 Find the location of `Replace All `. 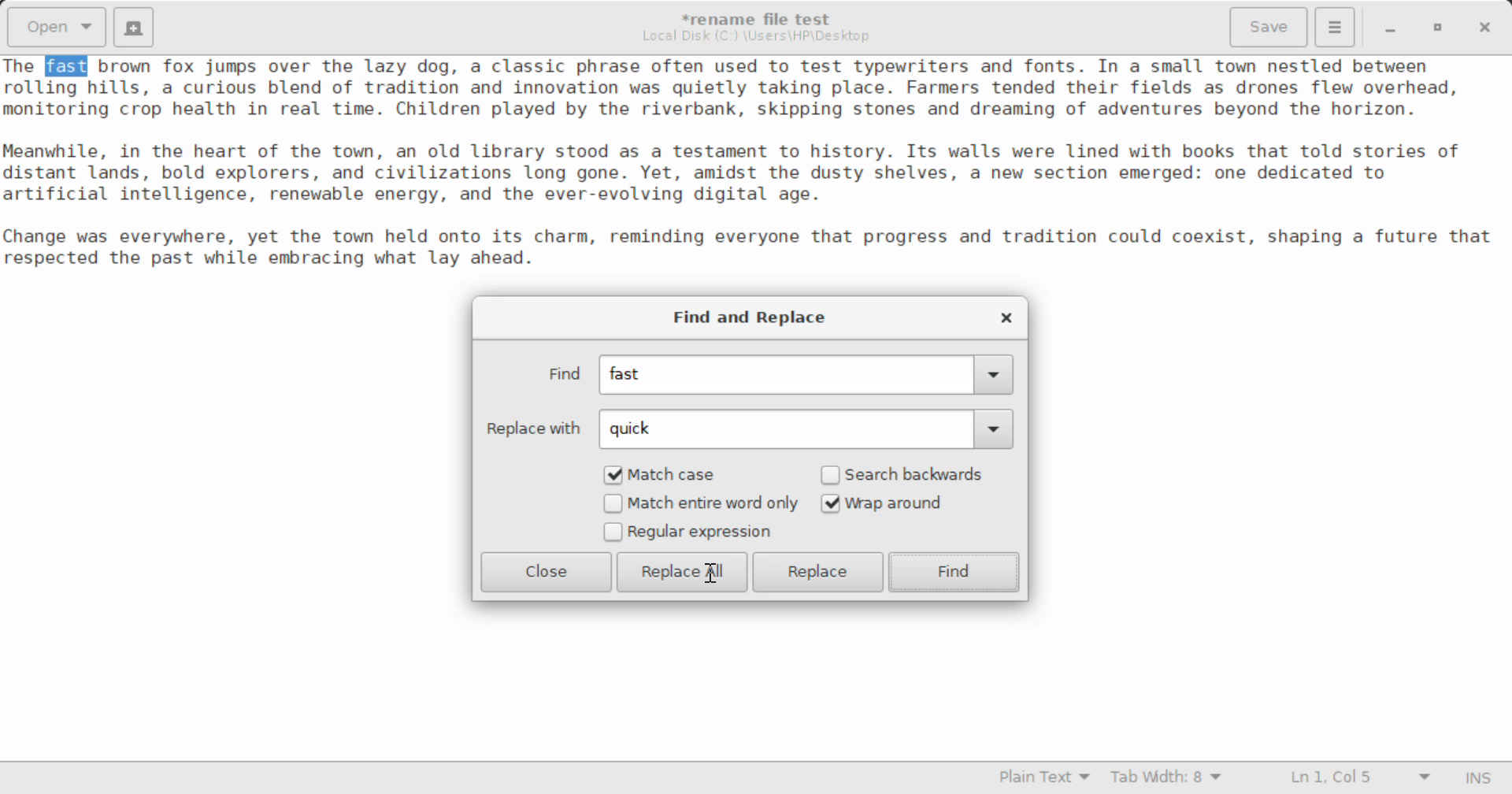

Replace All  is located at coordinates (682, 572).